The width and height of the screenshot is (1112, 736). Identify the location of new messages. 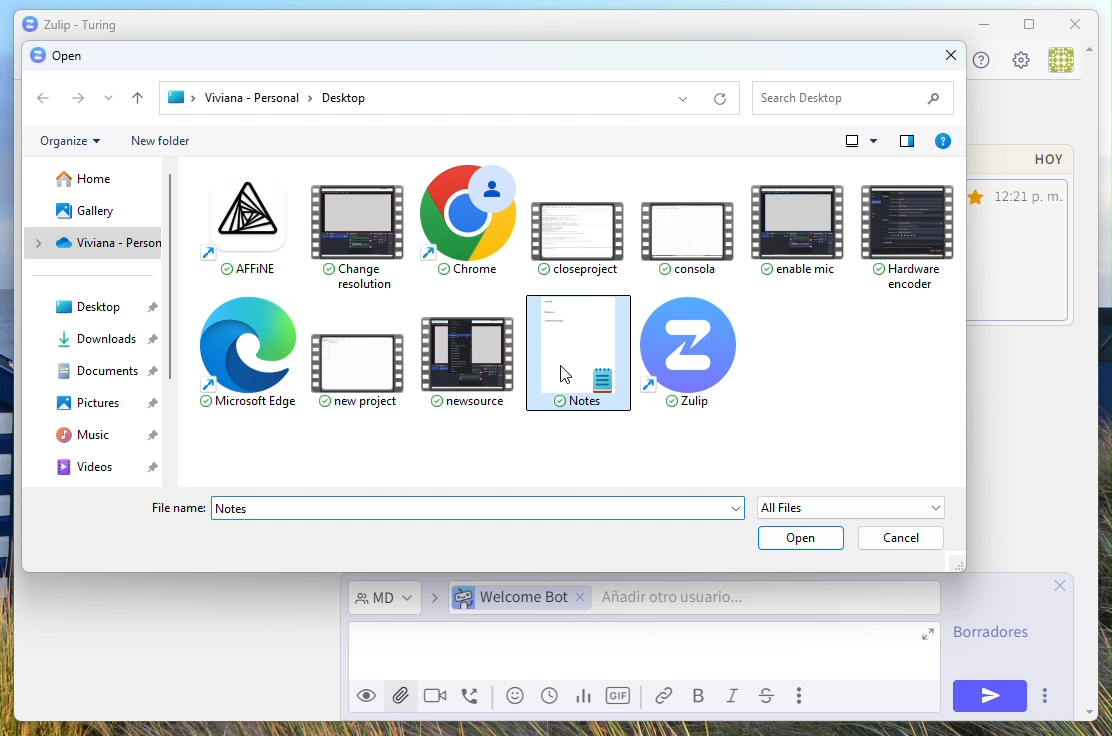
(1023, 236).